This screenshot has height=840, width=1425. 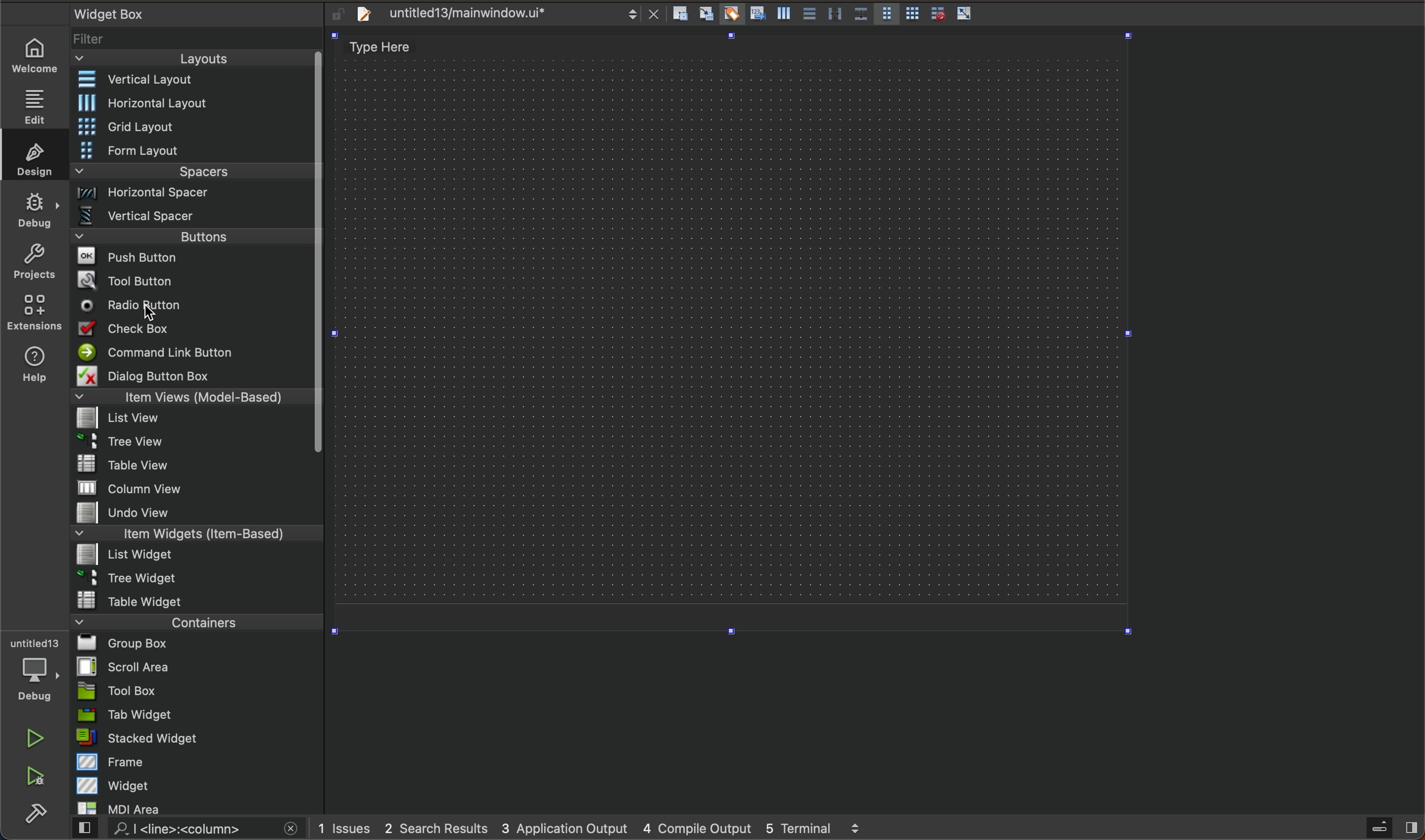 What do you see at coordinates (782, 16) in the screenshot?
I see `` at bounding box center [782, 16].